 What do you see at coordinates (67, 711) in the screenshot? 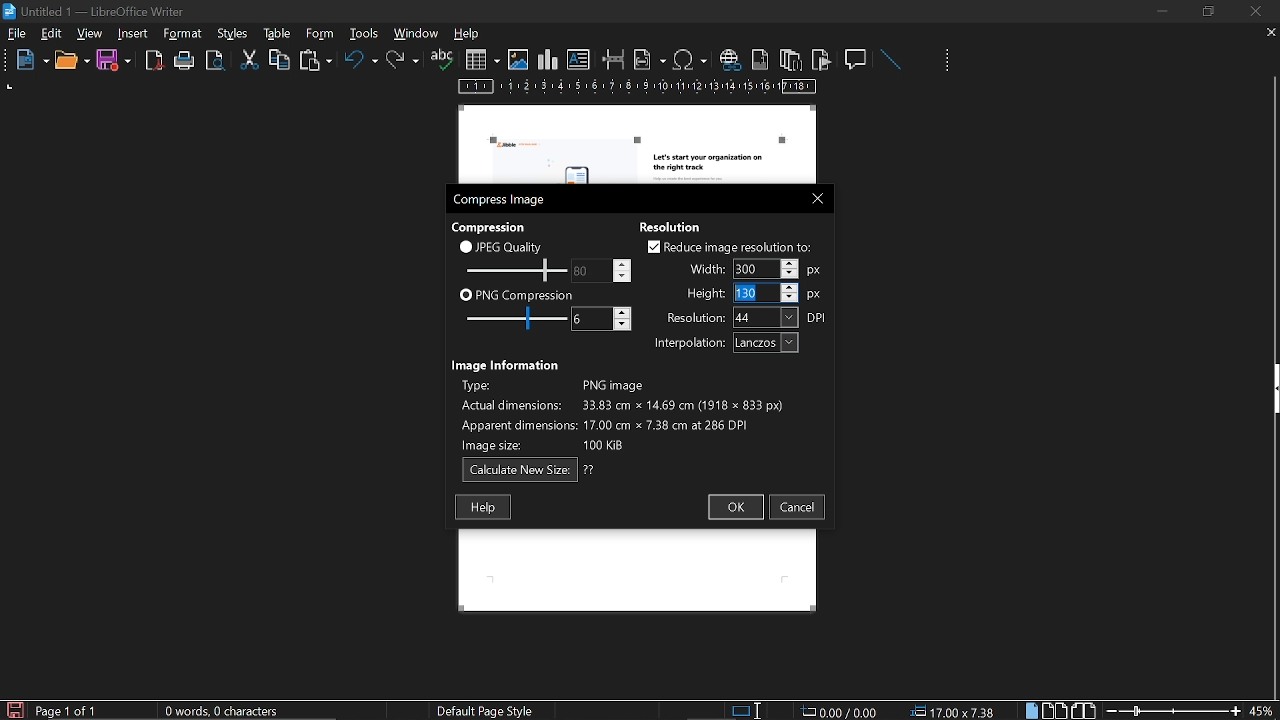
I see `current page` at bounding box center [67, 711].